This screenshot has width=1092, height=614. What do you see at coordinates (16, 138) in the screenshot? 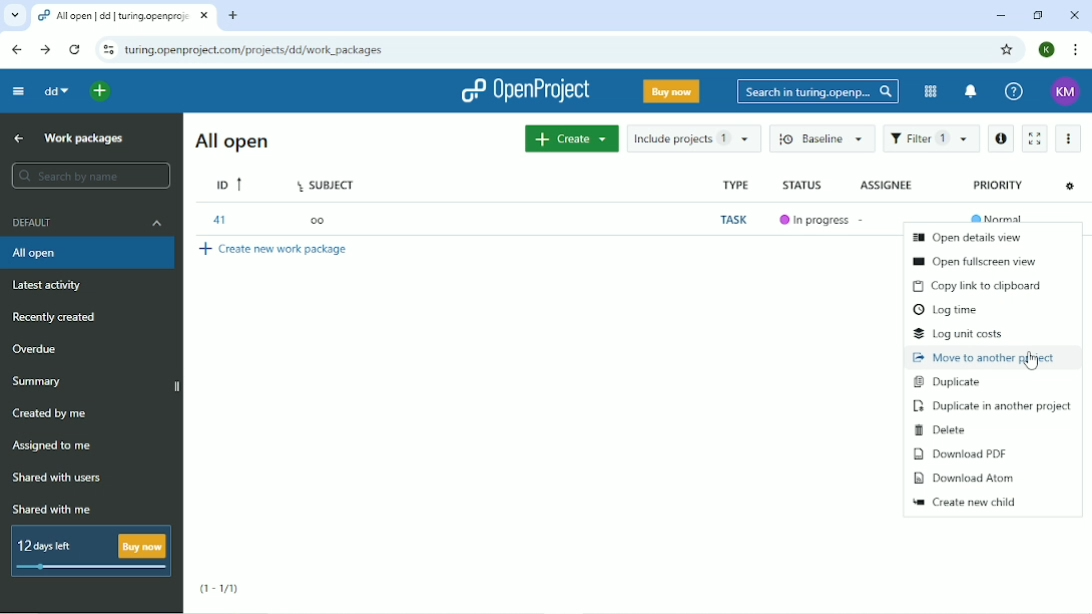
I see `Up` at bounding box center [16, 138].